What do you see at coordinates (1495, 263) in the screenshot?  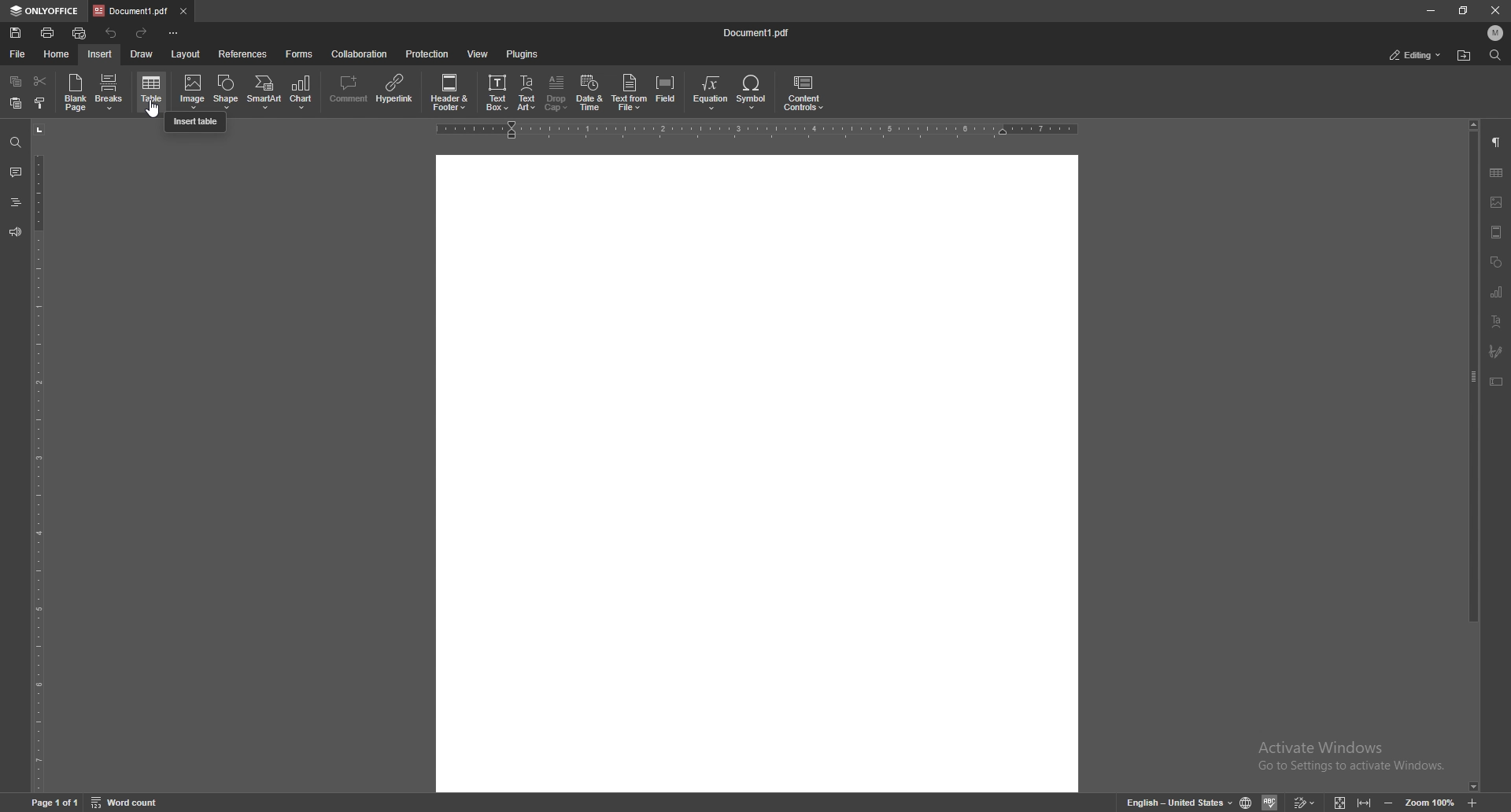 I see `shapes` at bounding box center [1495, 263].